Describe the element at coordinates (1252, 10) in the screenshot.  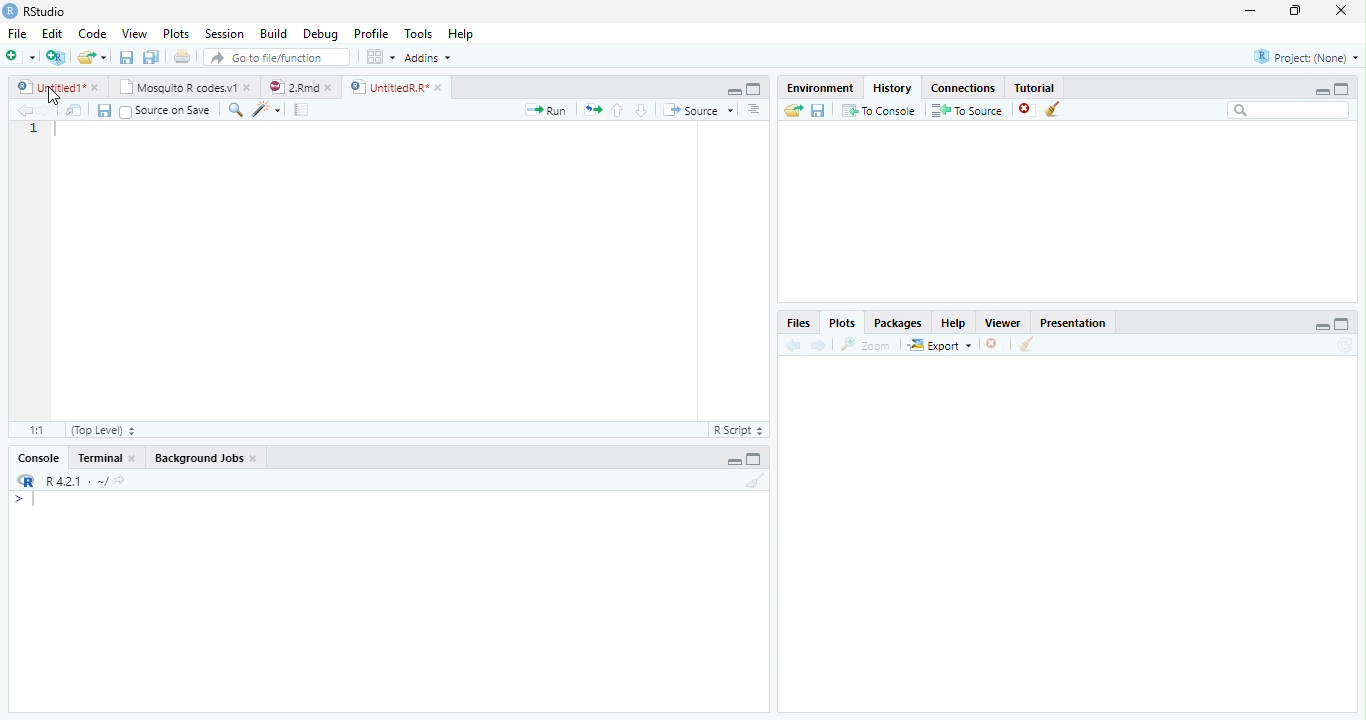
I see `Minimize` at that location.